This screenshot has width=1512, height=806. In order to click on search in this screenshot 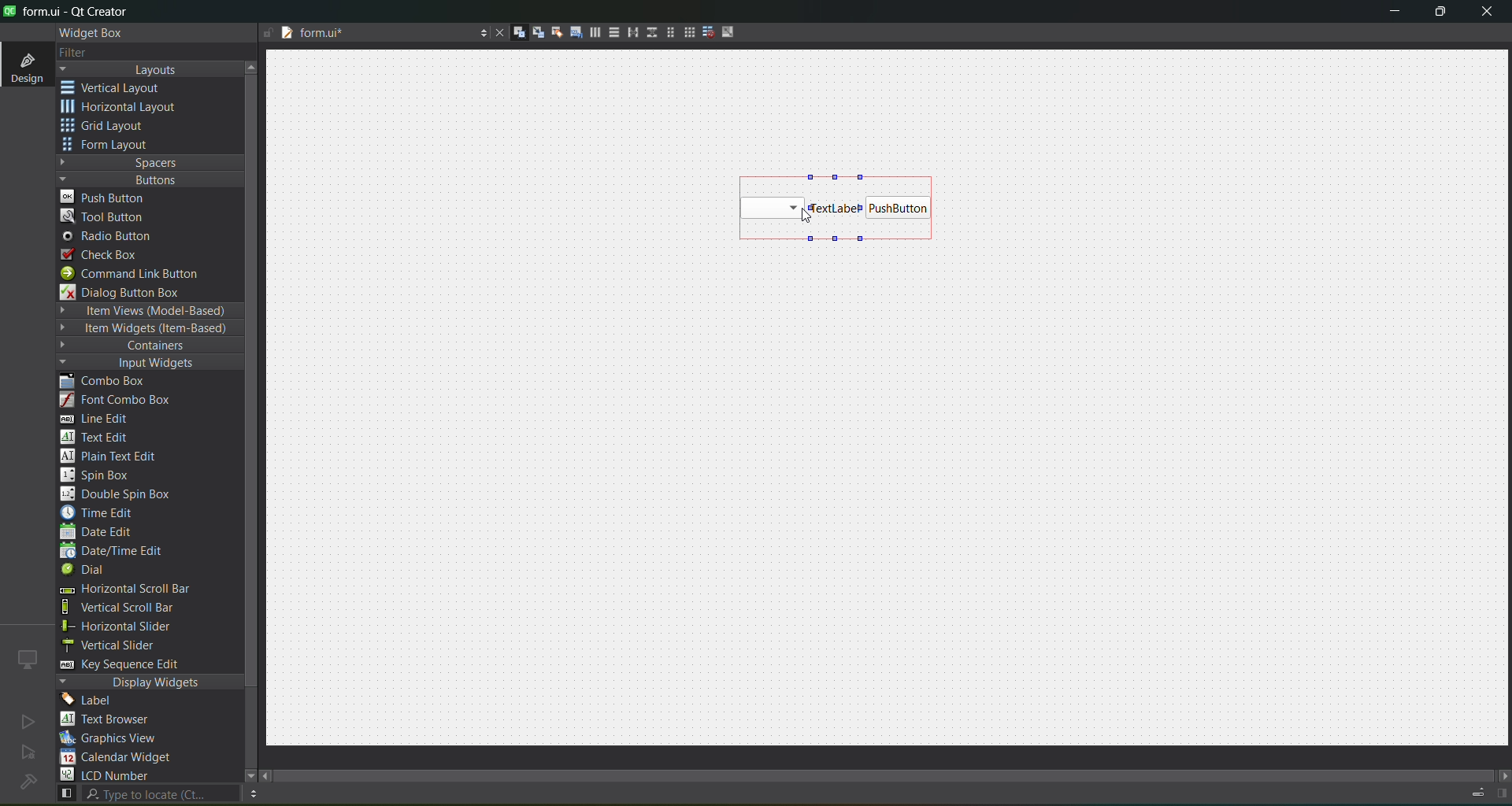, I will do `click(146, 794)`.